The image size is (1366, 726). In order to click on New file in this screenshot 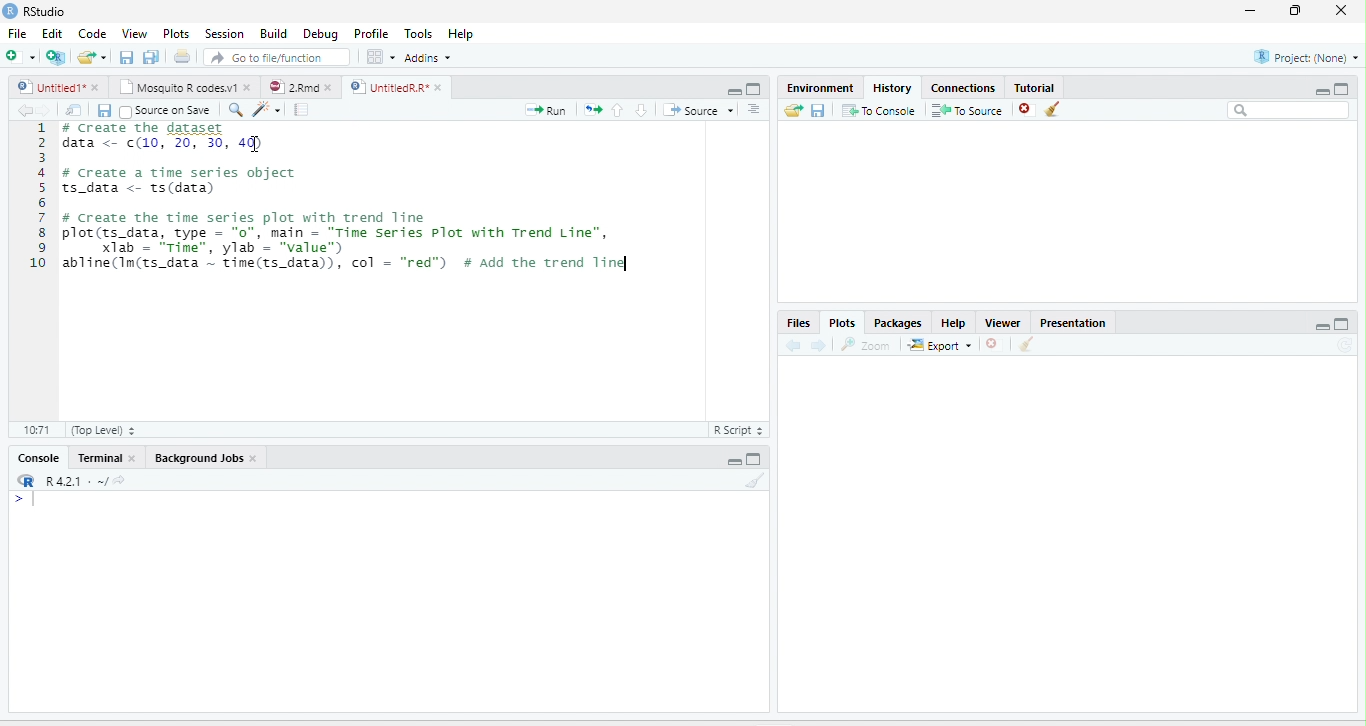, I will do `click(19, 56)`.